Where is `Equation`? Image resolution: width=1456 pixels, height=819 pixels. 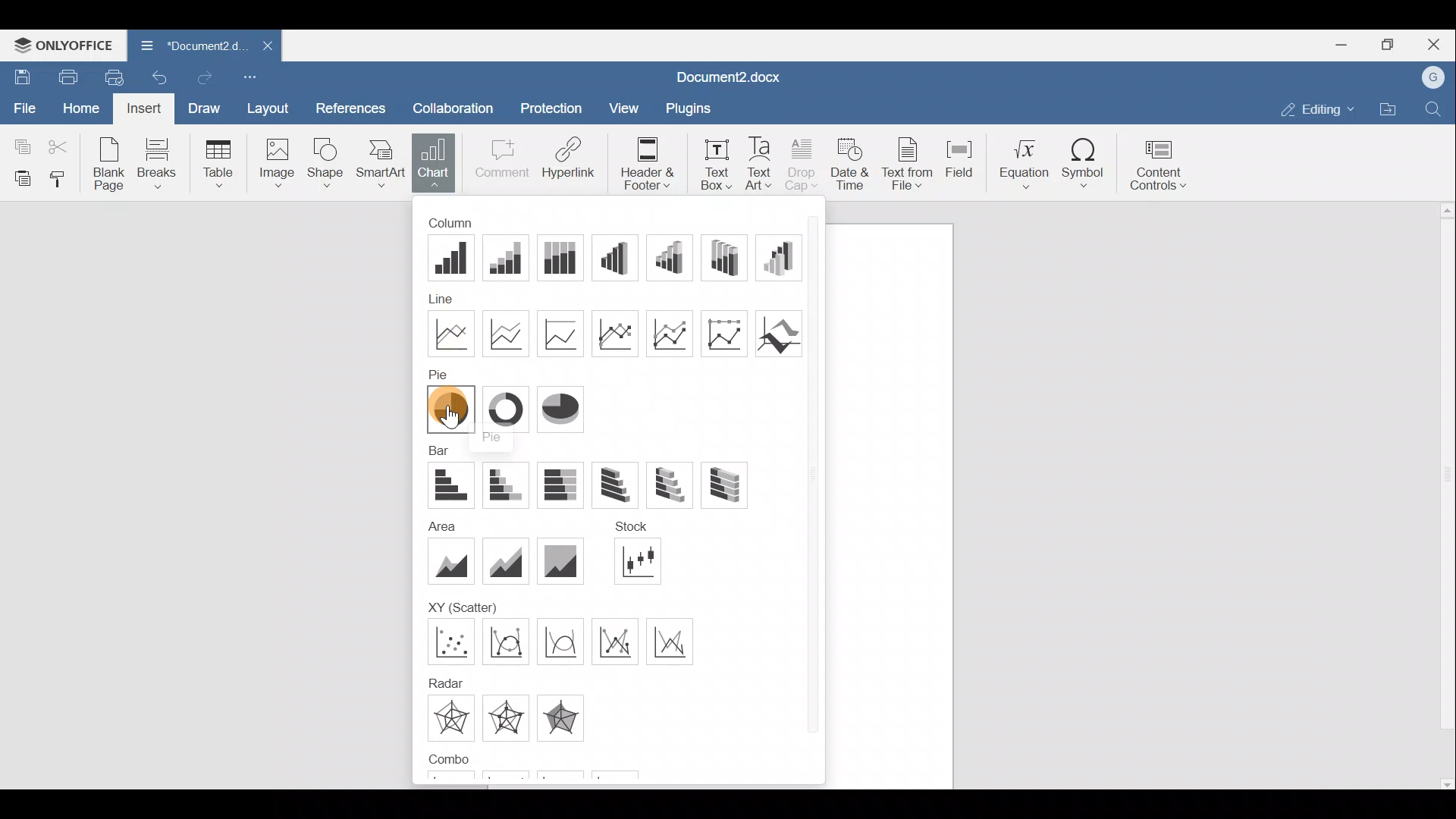
Equation is located at coordinates (1023, 162).